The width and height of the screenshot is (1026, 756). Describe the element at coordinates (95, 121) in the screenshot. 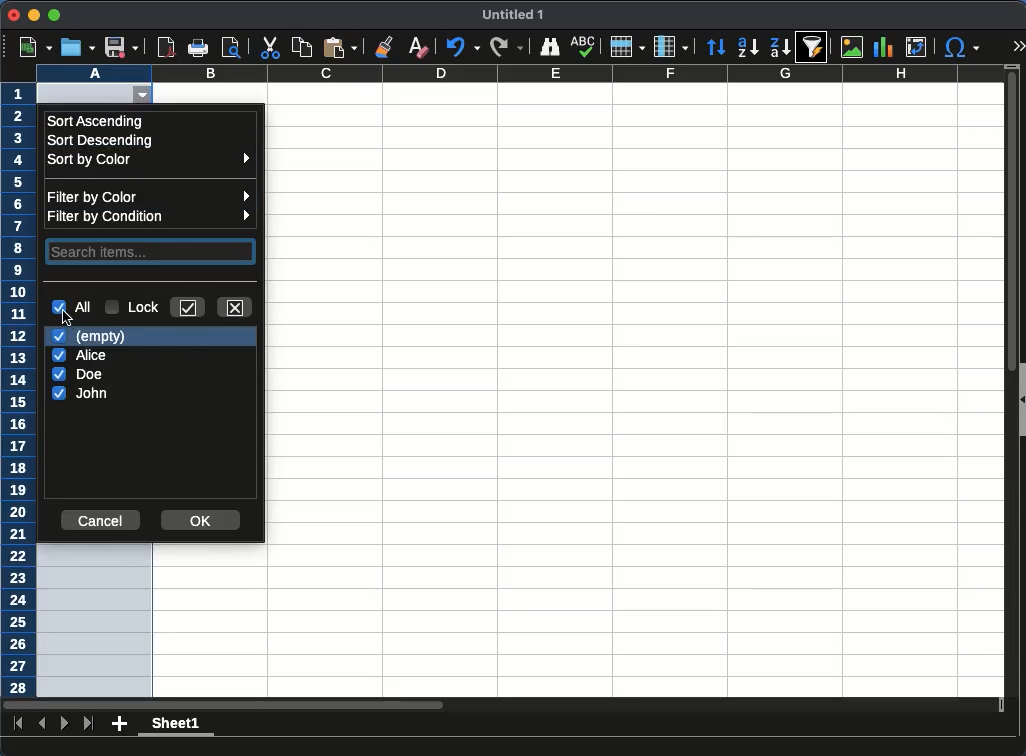

I see `sort ascending` at that location.